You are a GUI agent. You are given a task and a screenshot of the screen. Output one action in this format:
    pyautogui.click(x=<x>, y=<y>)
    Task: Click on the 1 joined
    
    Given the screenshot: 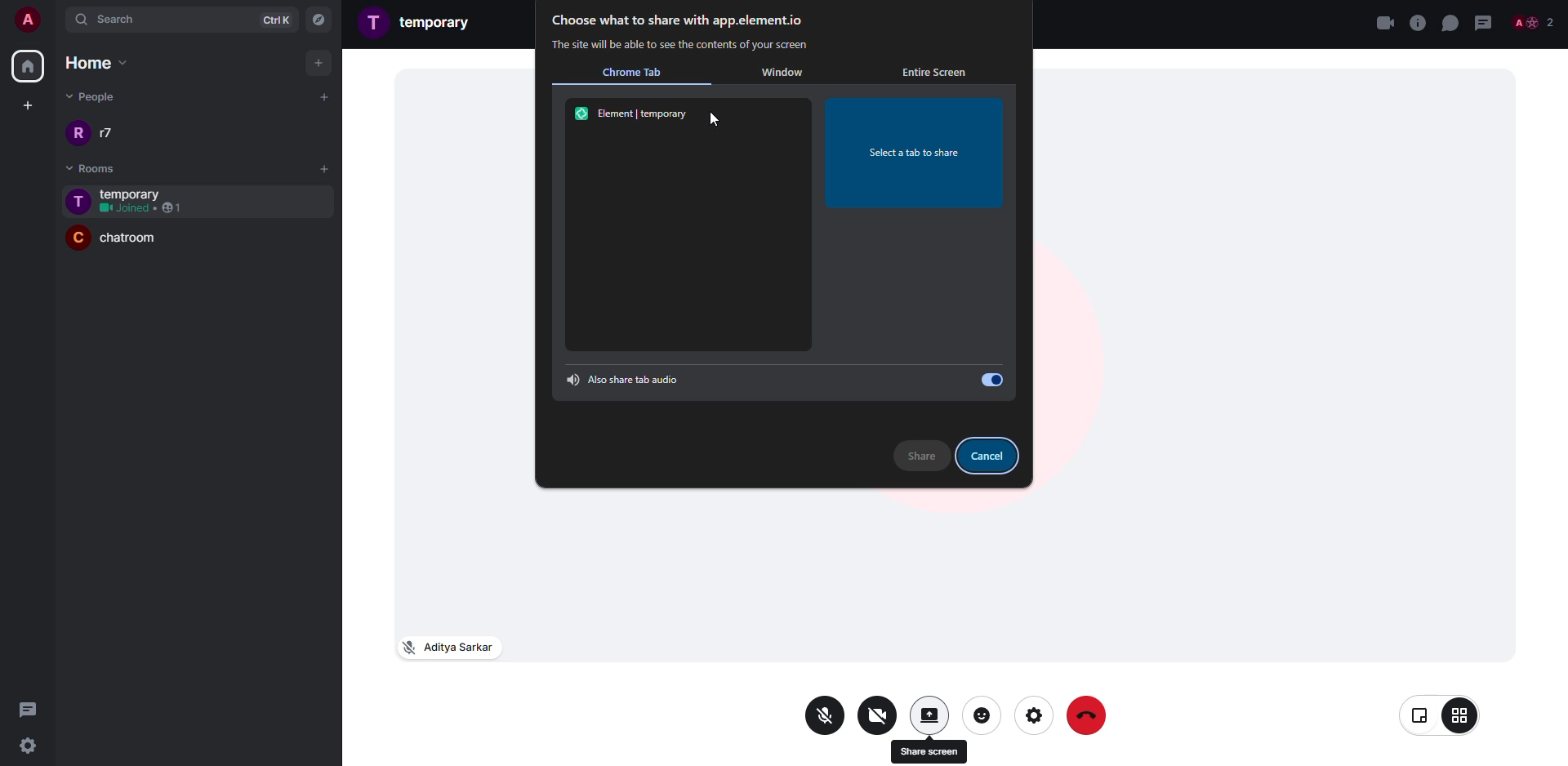 What is the action you would take?
    pyautogui.click(x=142, y=209)
    